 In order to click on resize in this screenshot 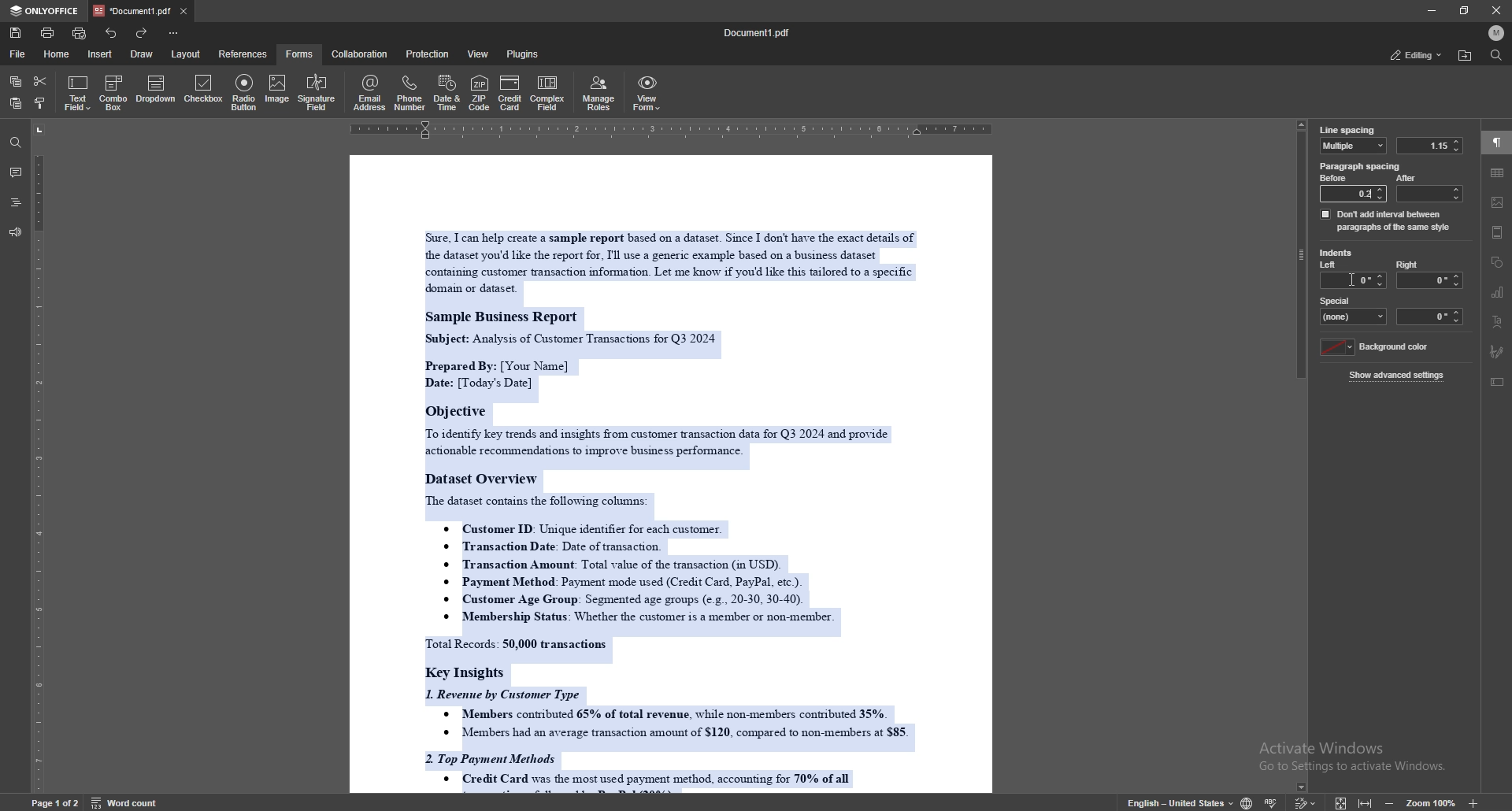, I will do `click(1465, 10)`.